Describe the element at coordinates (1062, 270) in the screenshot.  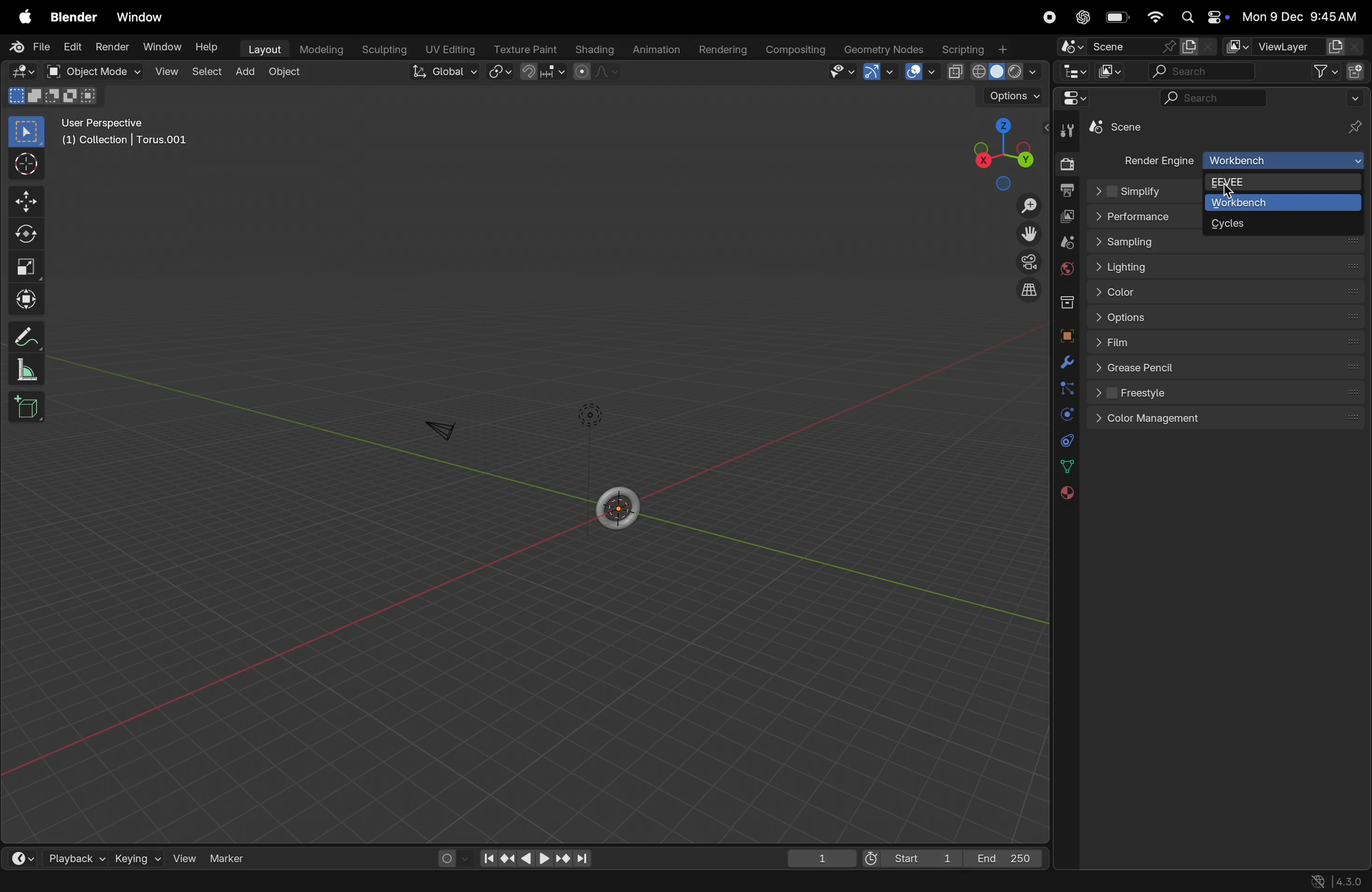
I see `world` at that location.